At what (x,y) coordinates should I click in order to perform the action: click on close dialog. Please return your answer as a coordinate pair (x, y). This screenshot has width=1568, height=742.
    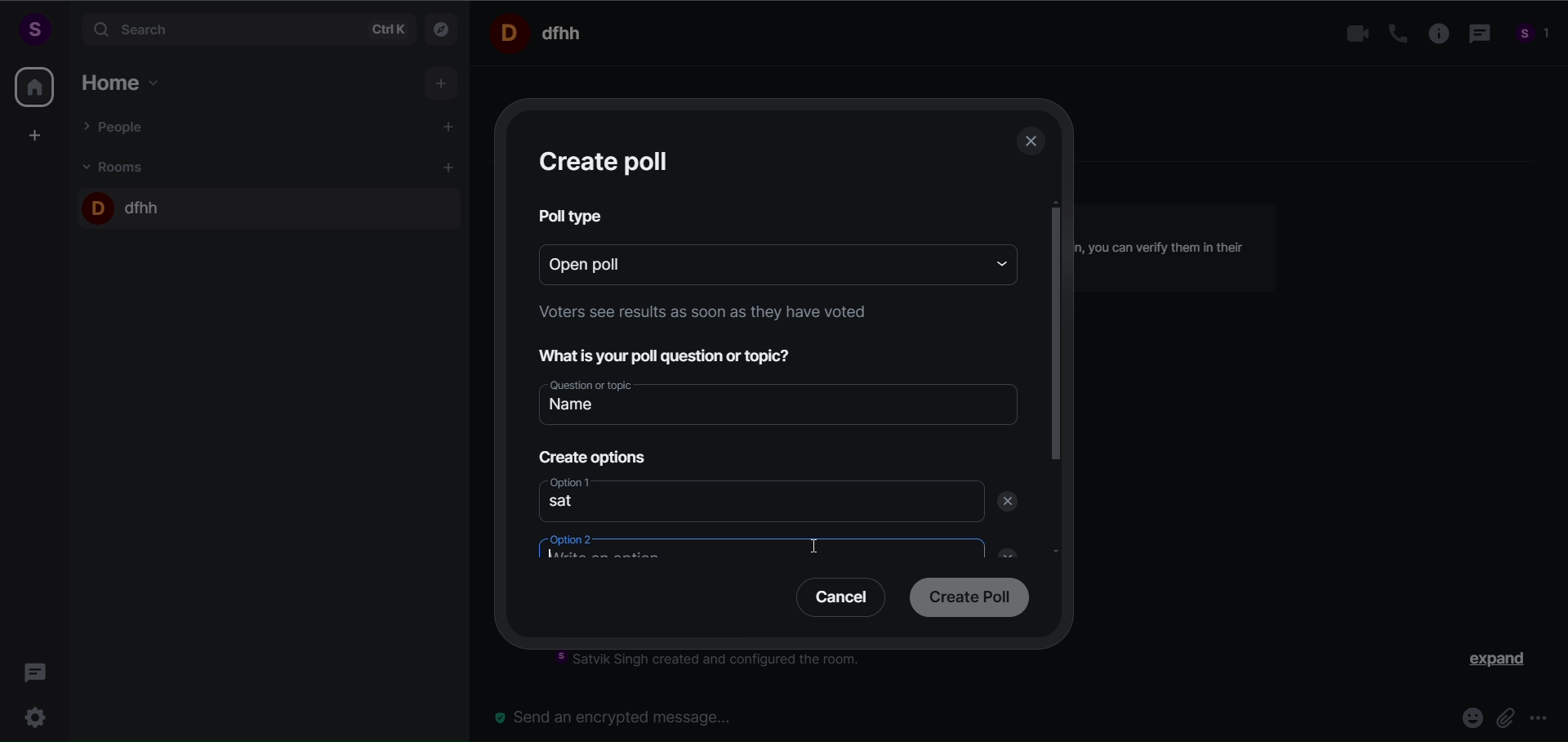
    Looking at the image, I should click on (1032, 144).